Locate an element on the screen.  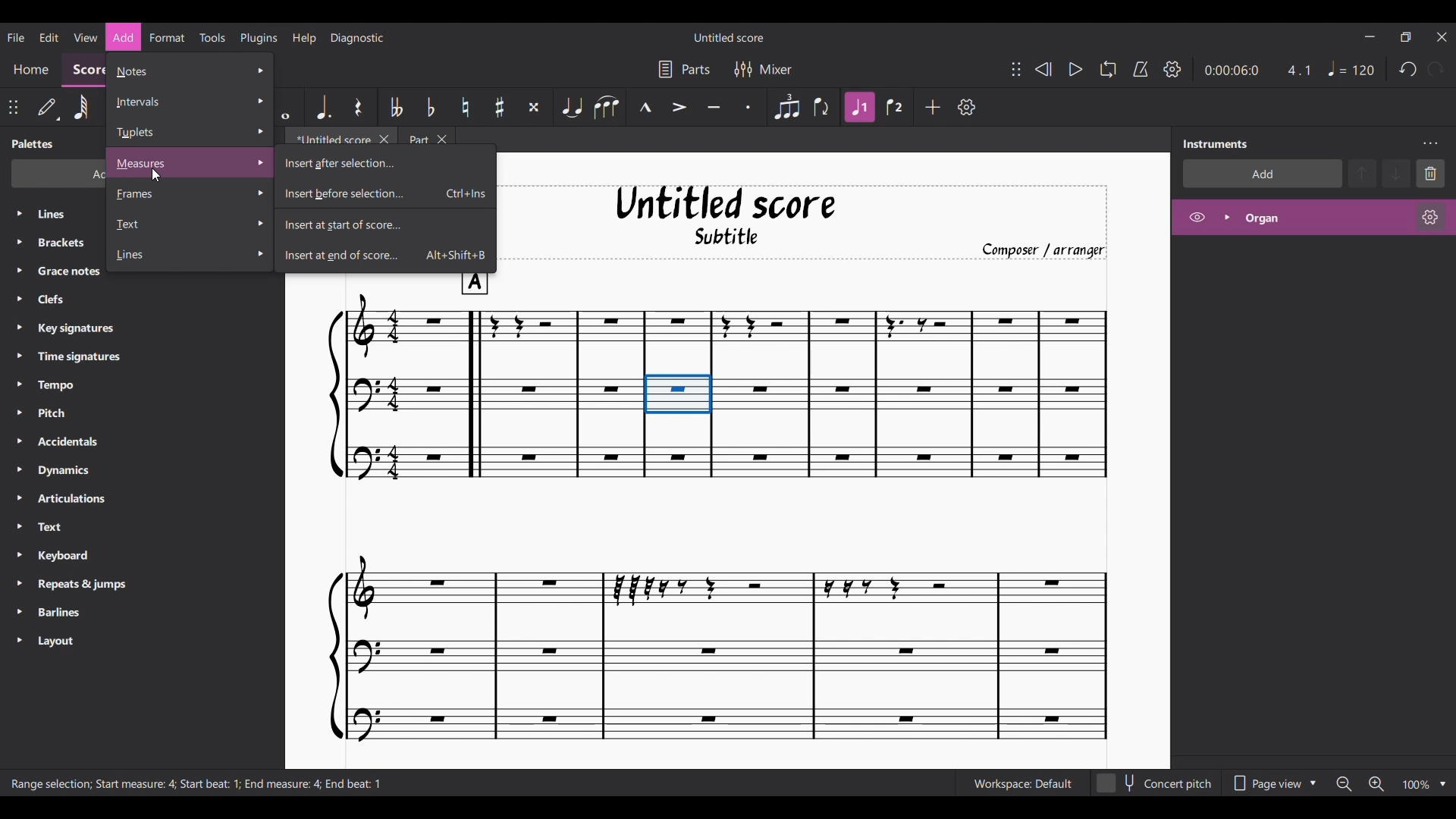
Toggle natural is located at coordinates (466, 107).